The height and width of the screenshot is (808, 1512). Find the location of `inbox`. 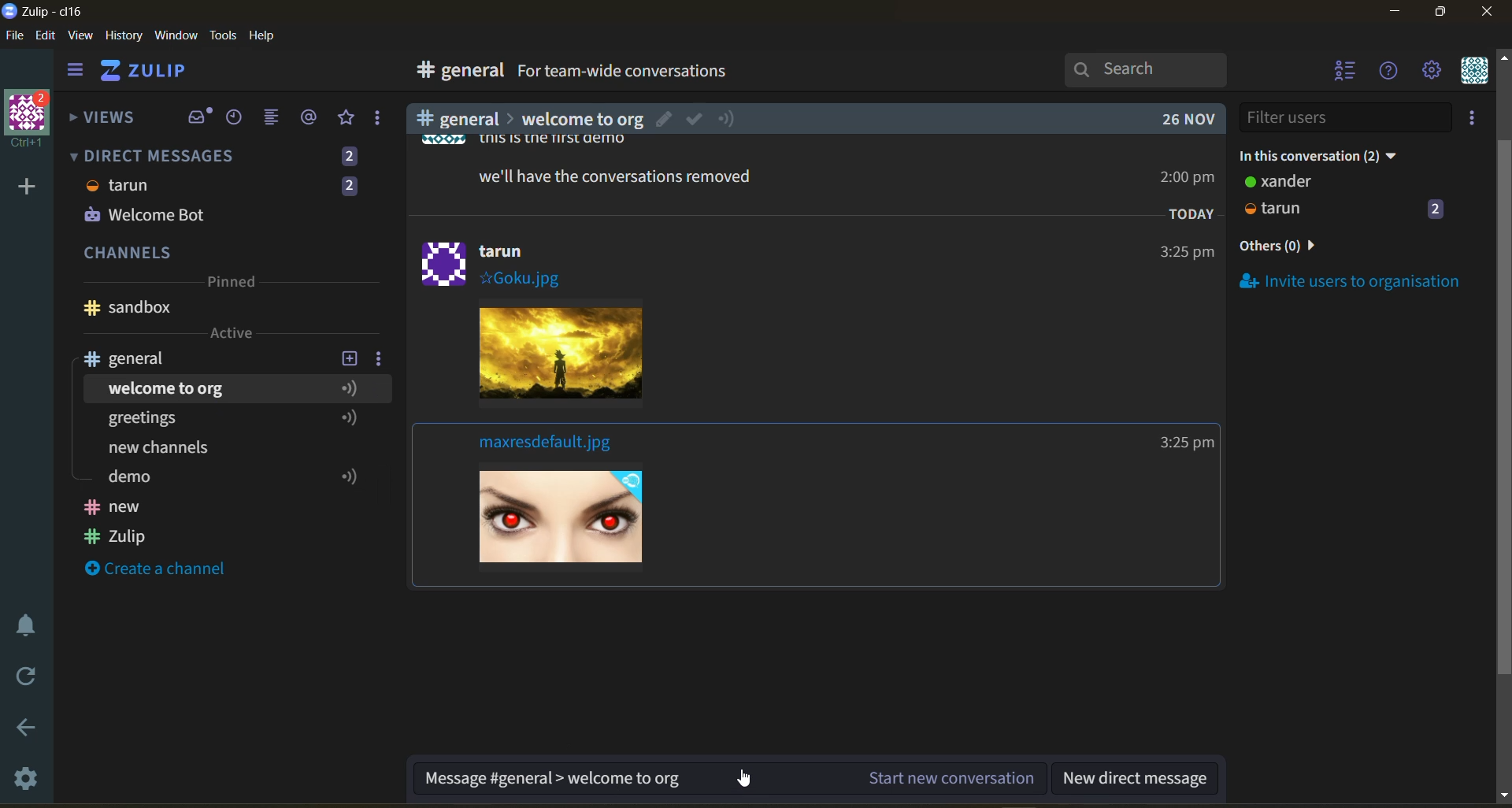

inbox is located at coordinates (199, 117).